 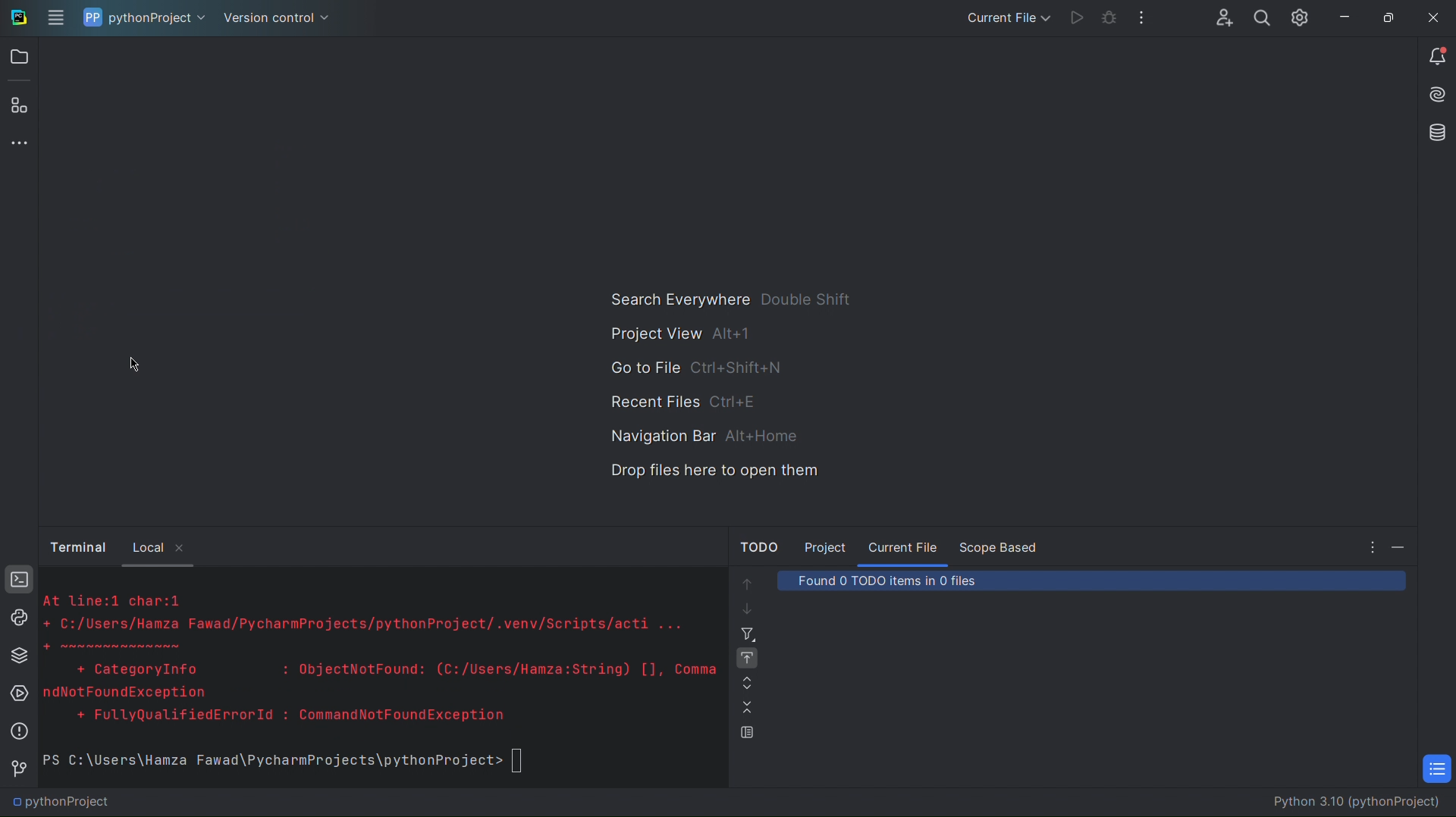 What do you see at coordinates (745, 684) in the screenshot?
I see `Expand All` at bounding box center [745, 684].